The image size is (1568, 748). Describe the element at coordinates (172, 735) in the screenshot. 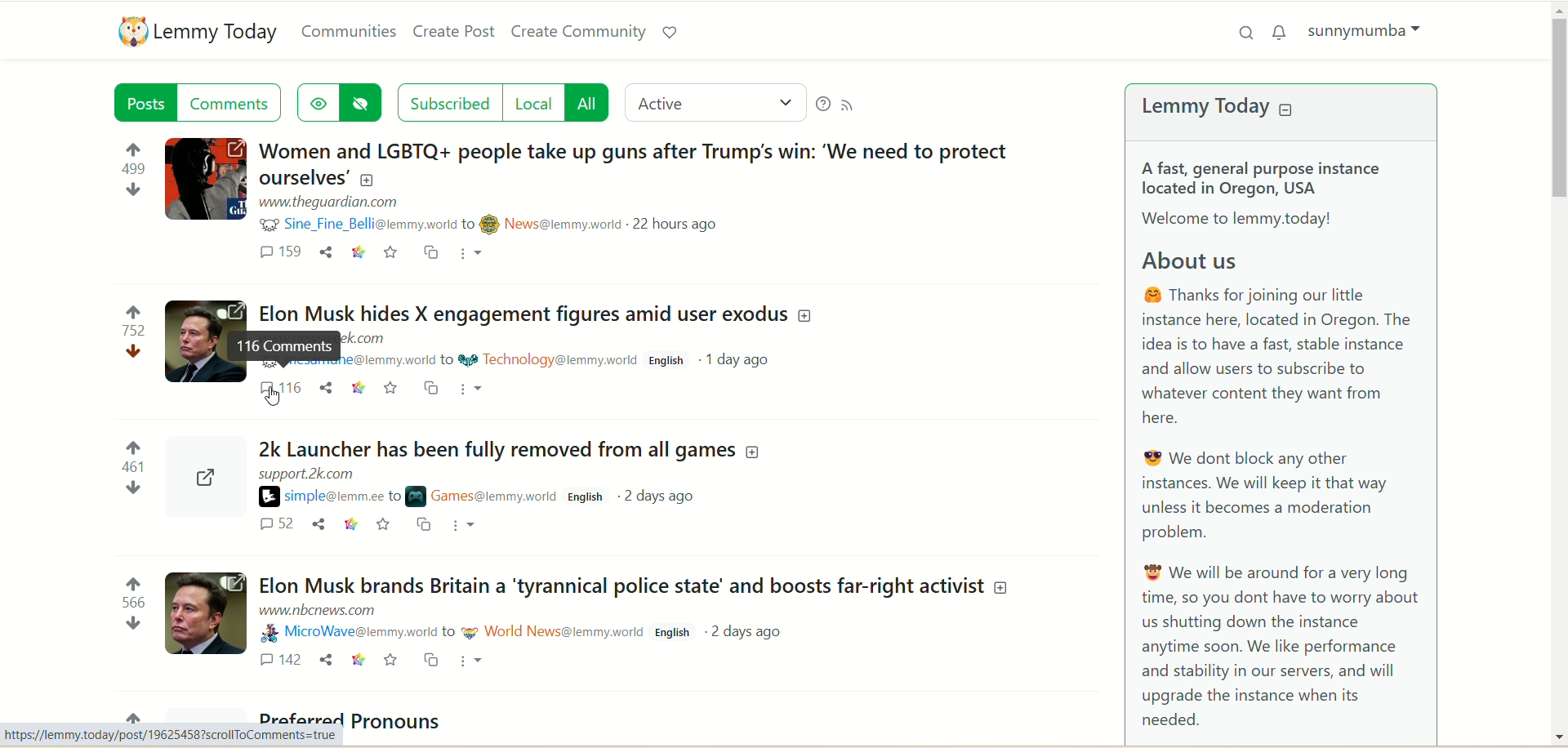

I see `~ Drafarrad
https://lemmy.today/post/196254582scrollToComments=true` at that location.